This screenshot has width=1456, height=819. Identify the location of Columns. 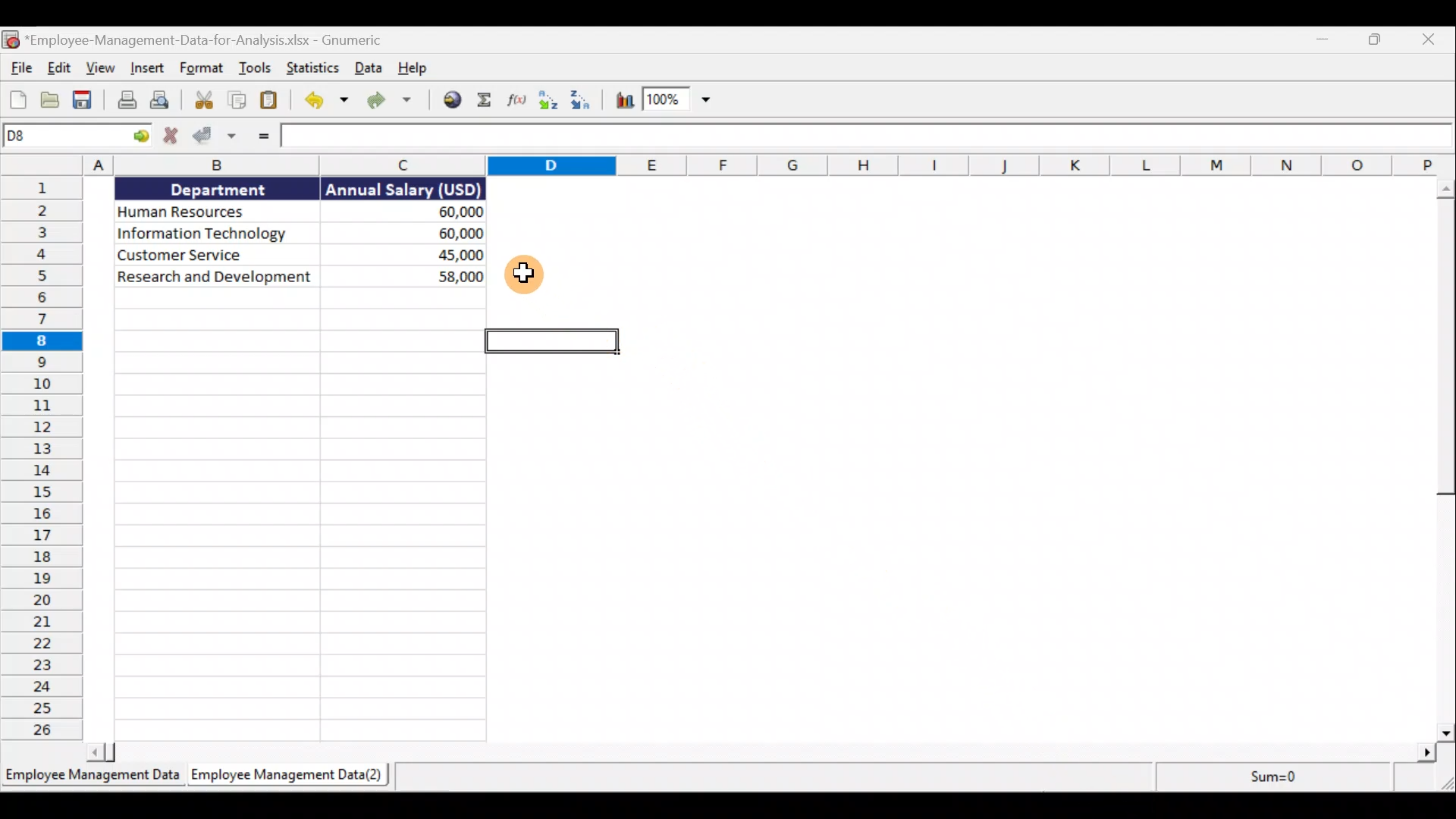
(731, 166).